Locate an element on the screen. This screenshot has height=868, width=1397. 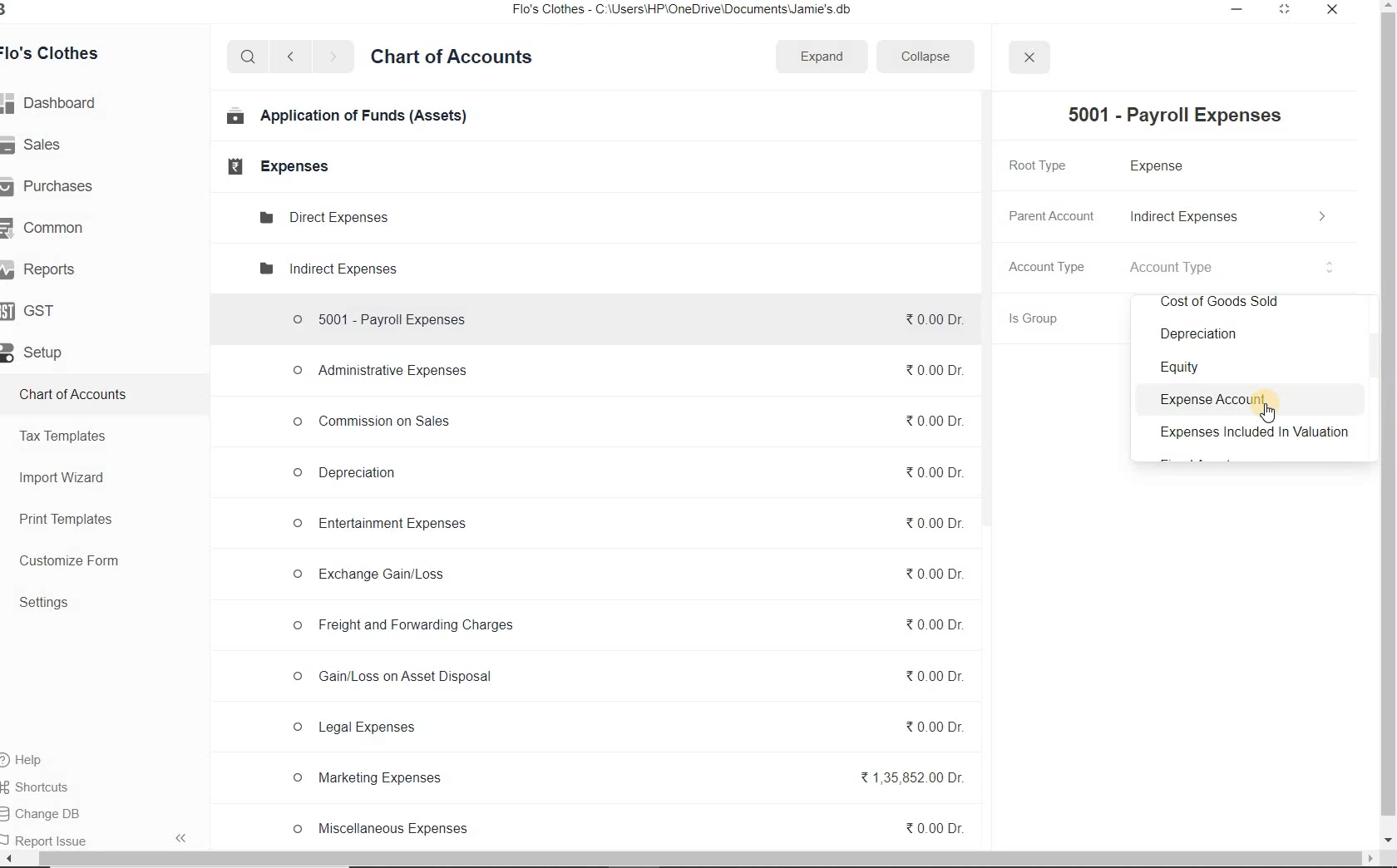
© Legal Expenses 0.00 Dr. is located at coordinates (624, 727).